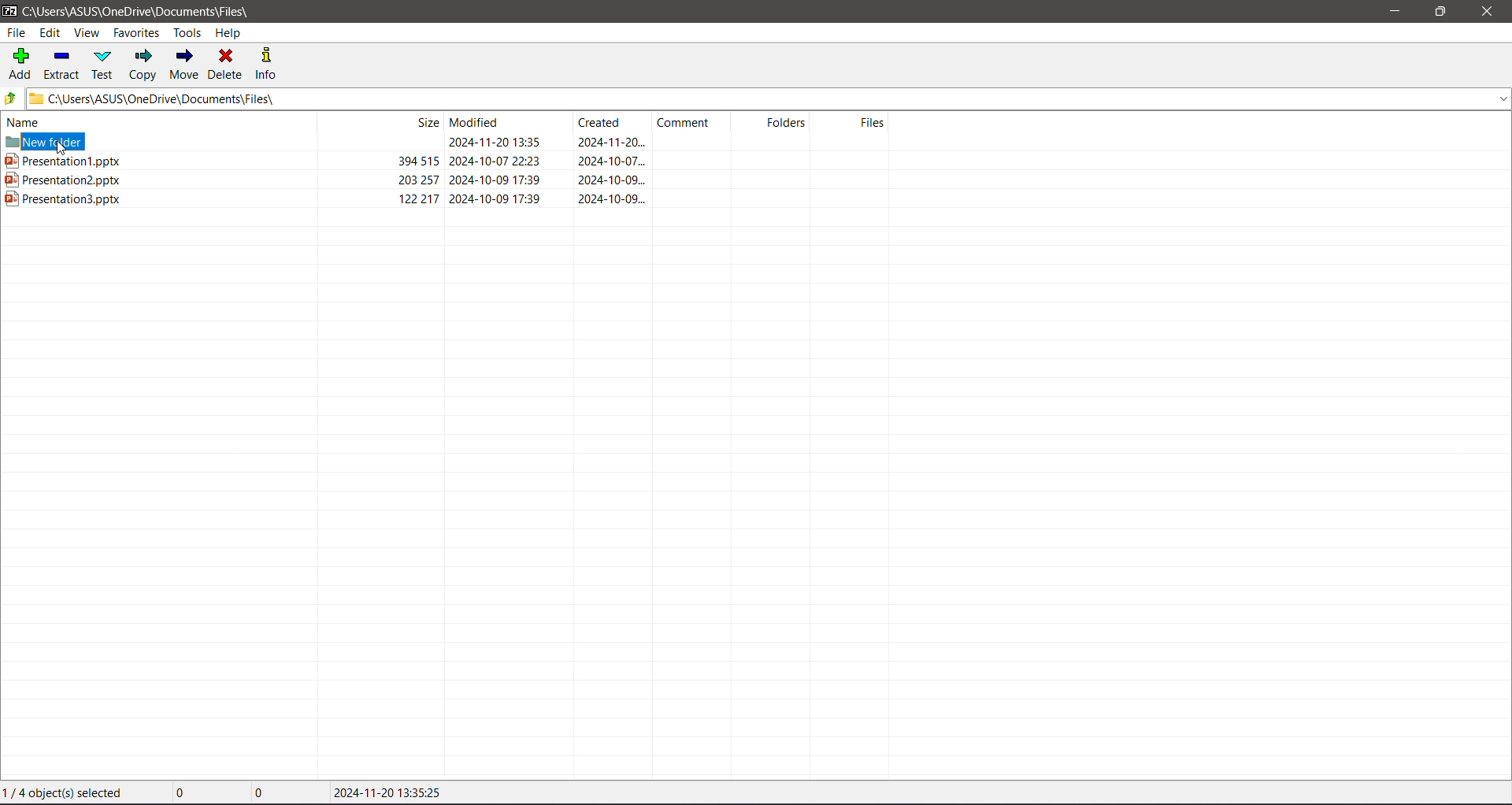  What do you see at coordinates (392, 793) in the screenshot?
I see `Modified date of the selected file` at bounding box center [392, 793].